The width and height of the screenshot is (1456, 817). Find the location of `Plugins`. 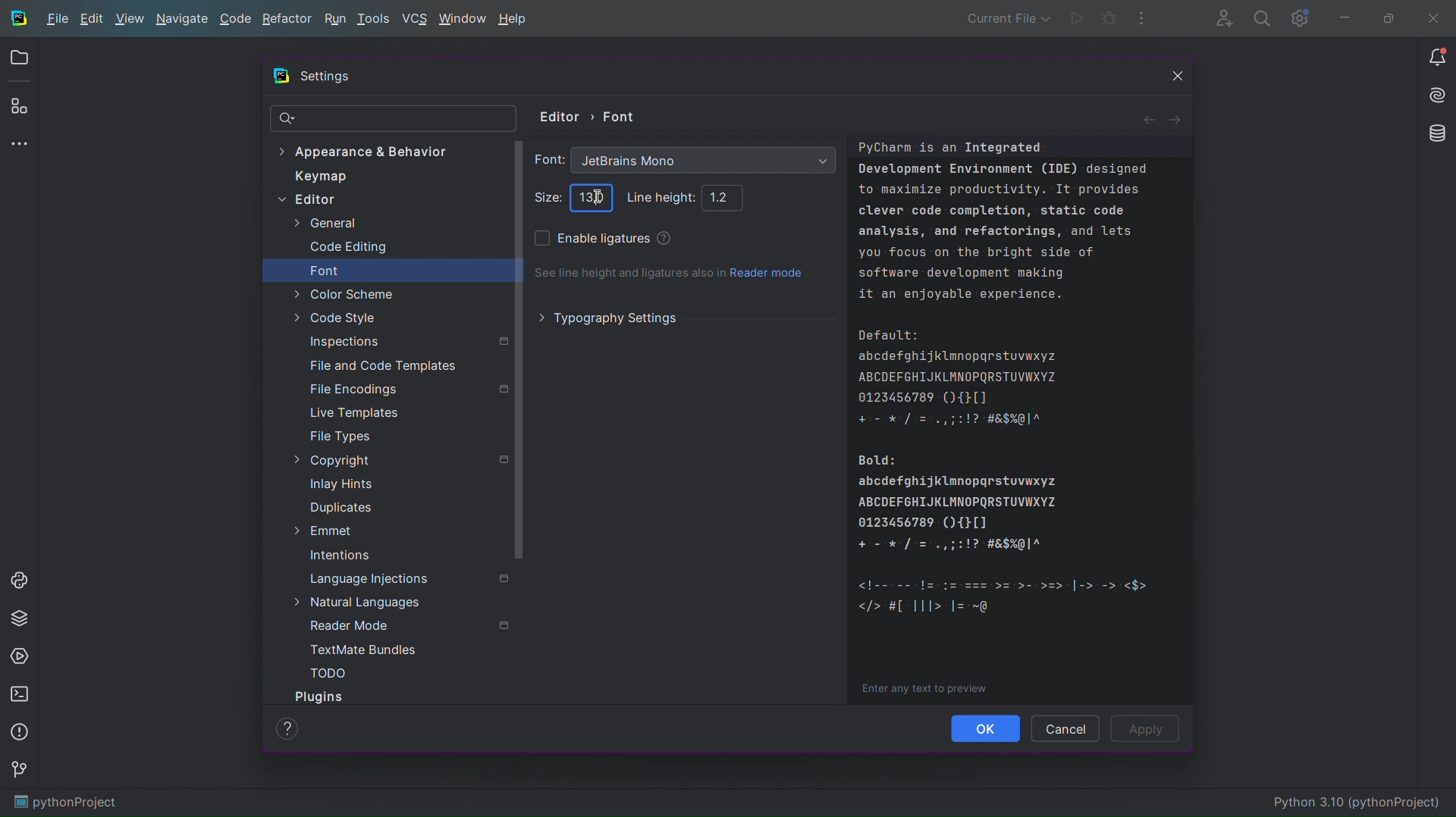

Plugins is located at coordinates (322, 696).